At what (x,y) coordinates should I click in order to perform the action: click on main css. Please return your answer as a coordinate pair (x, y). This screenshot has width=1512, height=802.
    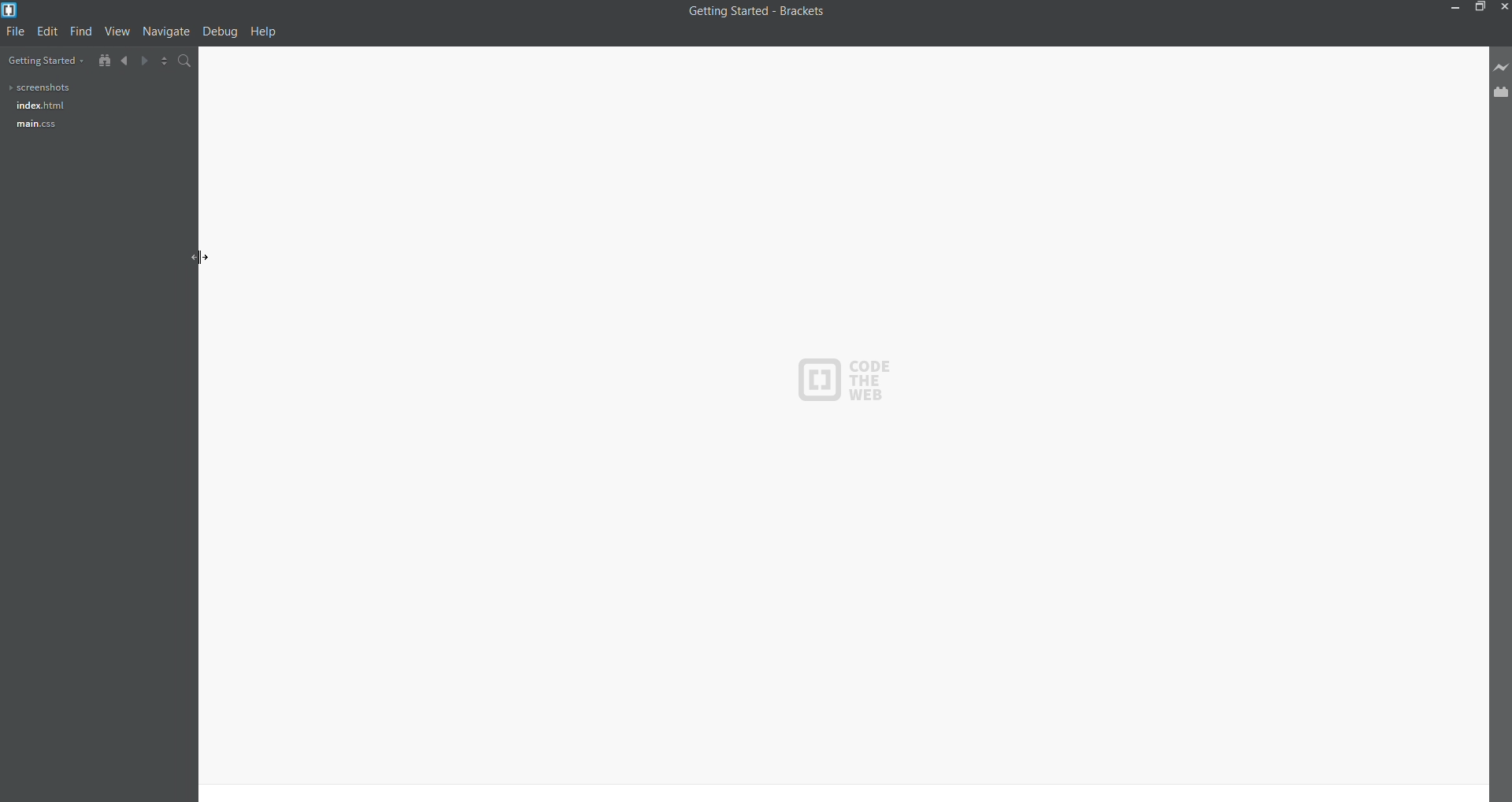
    Looking at the image, I should click on (35, 124).